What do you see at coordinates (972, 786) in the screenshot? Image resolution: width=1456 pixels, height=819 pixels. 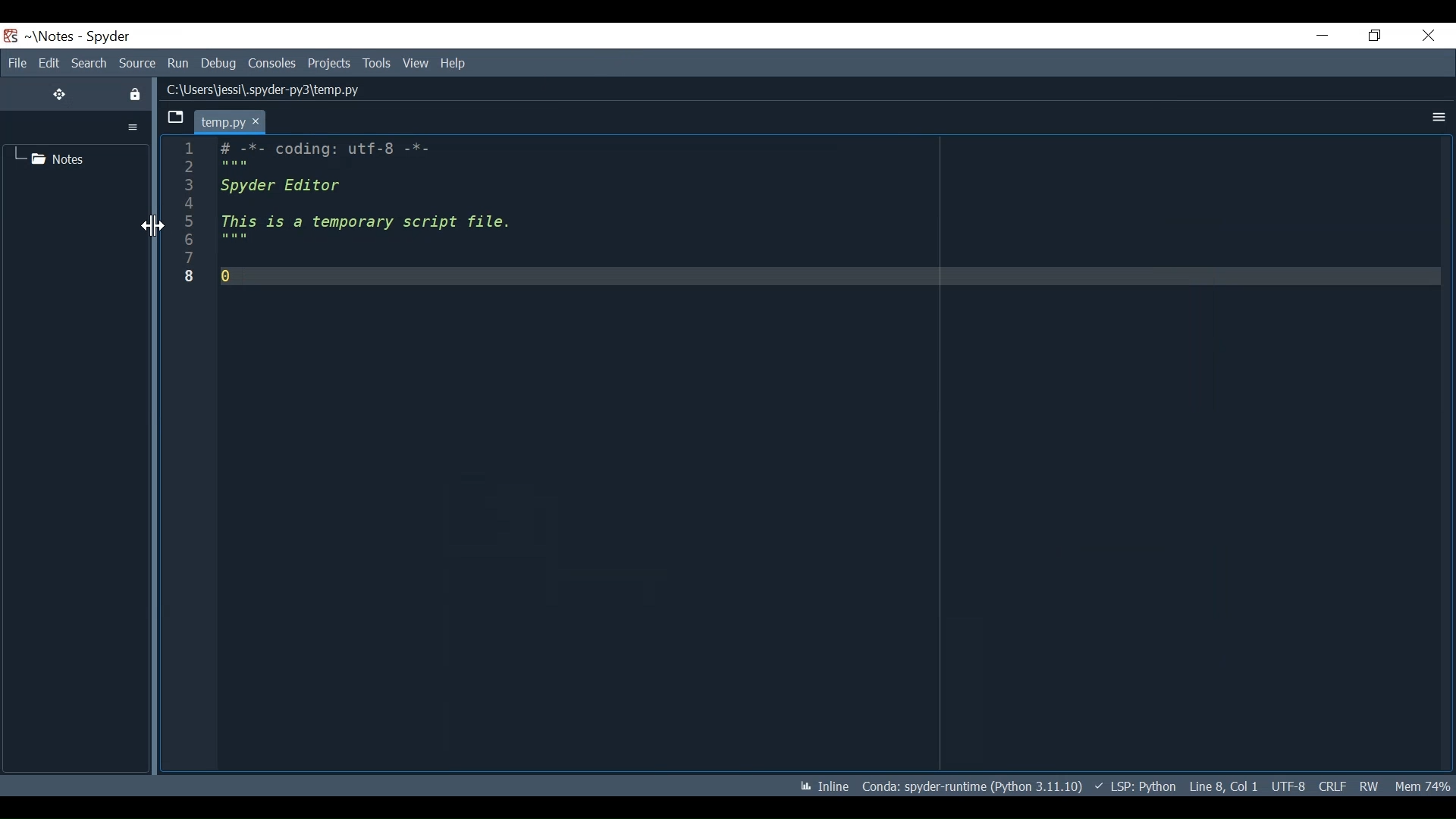 I see `Conda: spyder-runtime (Python 3.11.10)` at bounding box center [972, 786].